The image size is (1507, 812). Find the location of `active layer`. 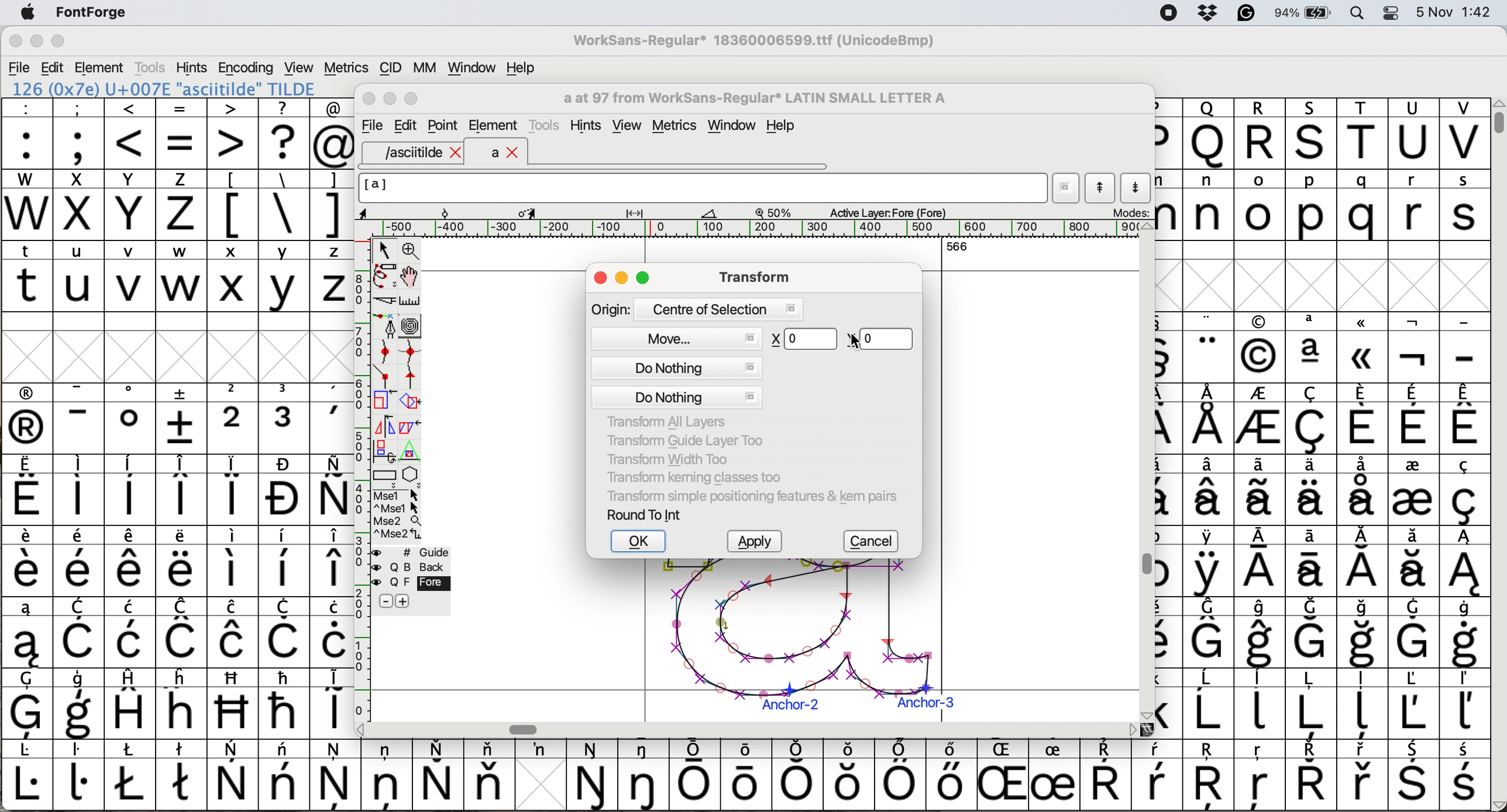

active layer is located at coordinates (886, 212).